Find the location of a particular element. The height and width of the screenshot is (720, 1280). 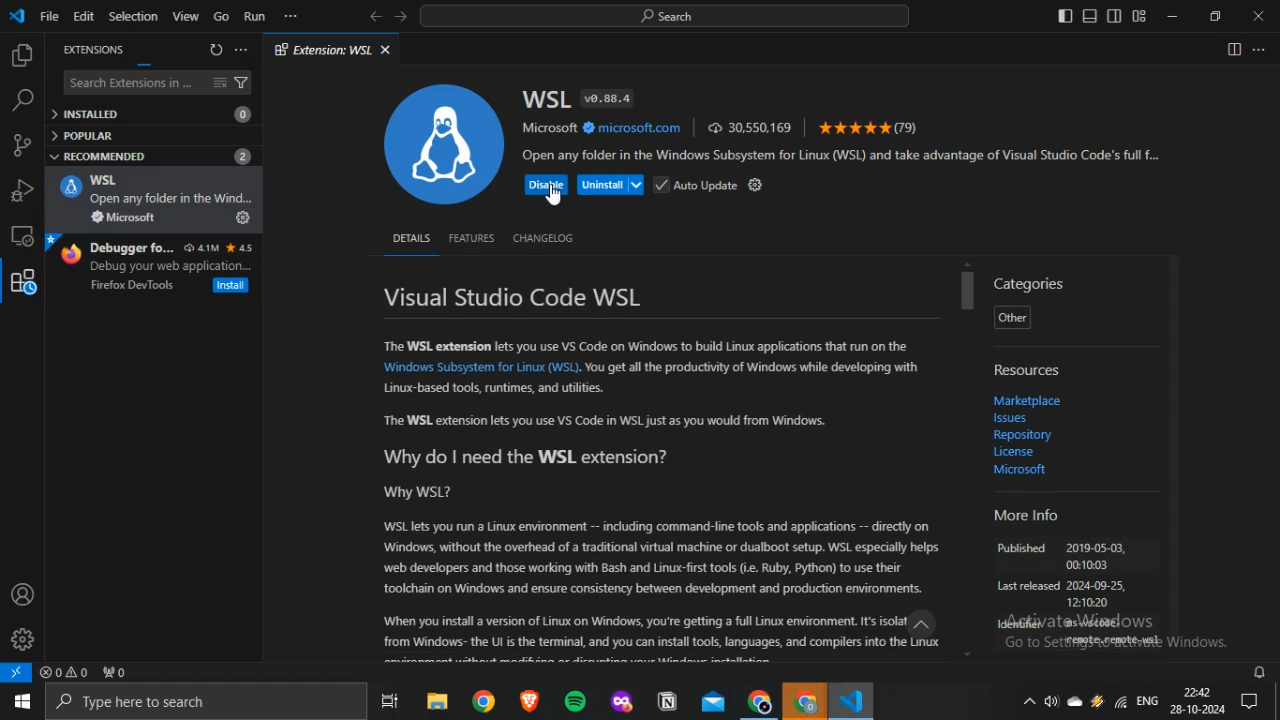

When you install version of Linux on Windows, you're getting a full Linux environment. Its isolat.”
from Windows- the Ut is the terminal, and you can install tools, languages, and compilers into the Linux is located at coordinates (668, 635).